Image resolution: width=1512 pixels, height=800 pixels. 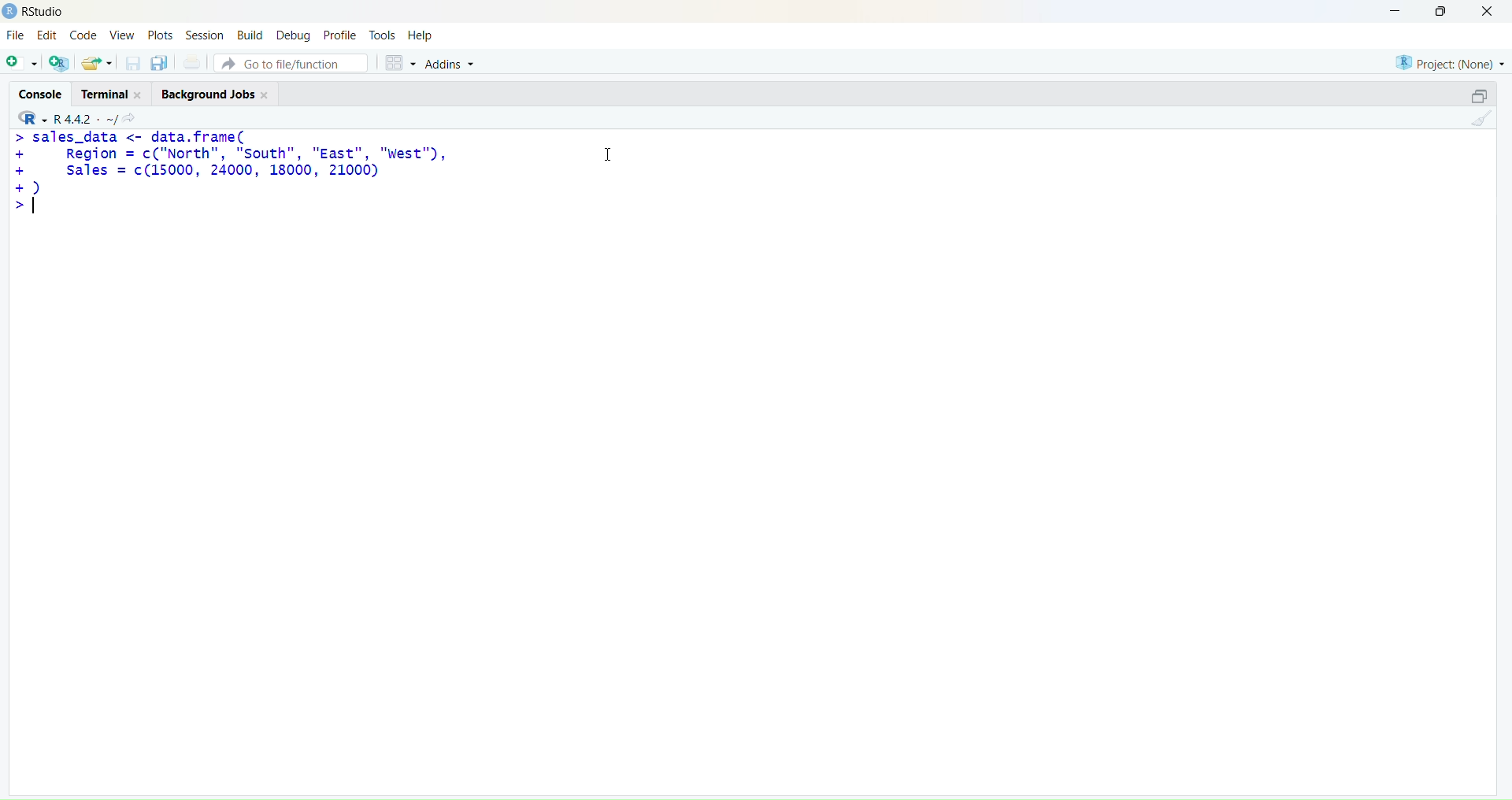 What do you see at coordinates (212, 96) in the screenshot?
I see `Background Jobs` at bounding box center [212, 96].